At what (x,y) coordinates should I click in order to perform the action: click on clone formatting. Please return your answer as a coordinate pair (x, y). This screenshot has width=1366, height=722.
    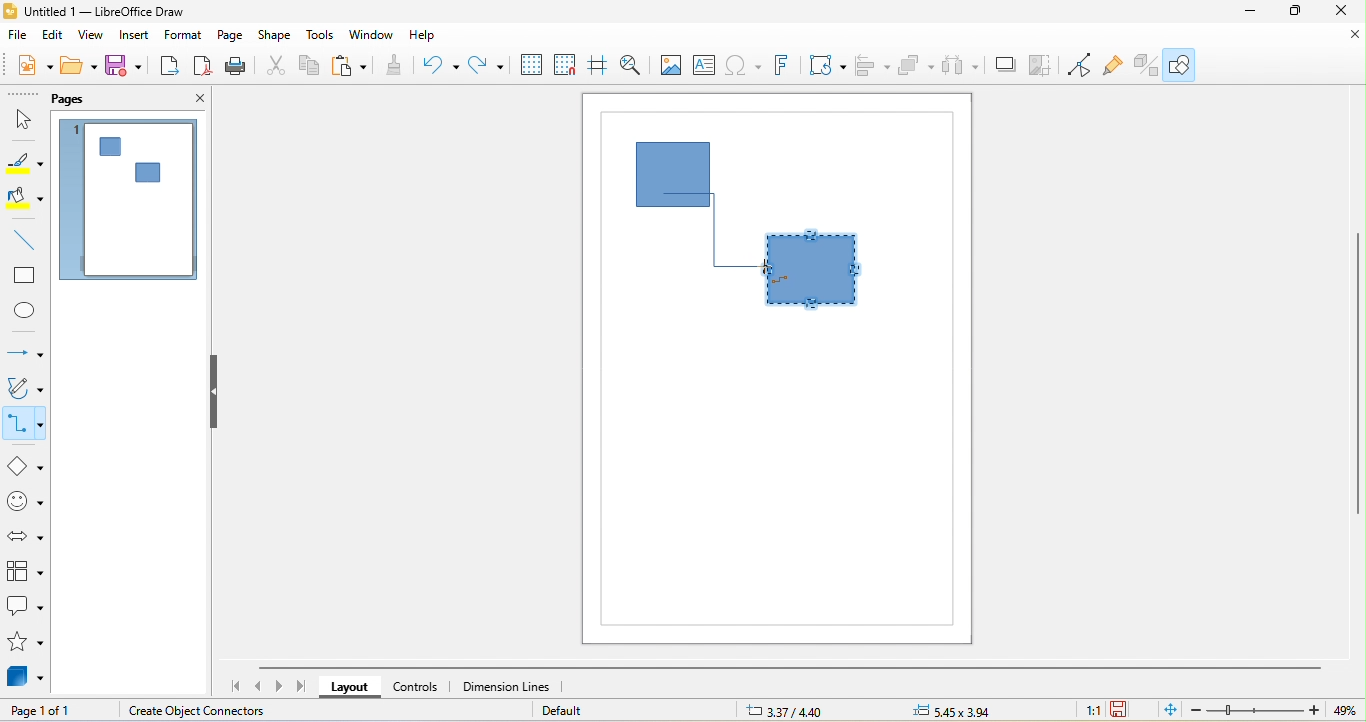
    Looking at the image, I should click on (397, 68).